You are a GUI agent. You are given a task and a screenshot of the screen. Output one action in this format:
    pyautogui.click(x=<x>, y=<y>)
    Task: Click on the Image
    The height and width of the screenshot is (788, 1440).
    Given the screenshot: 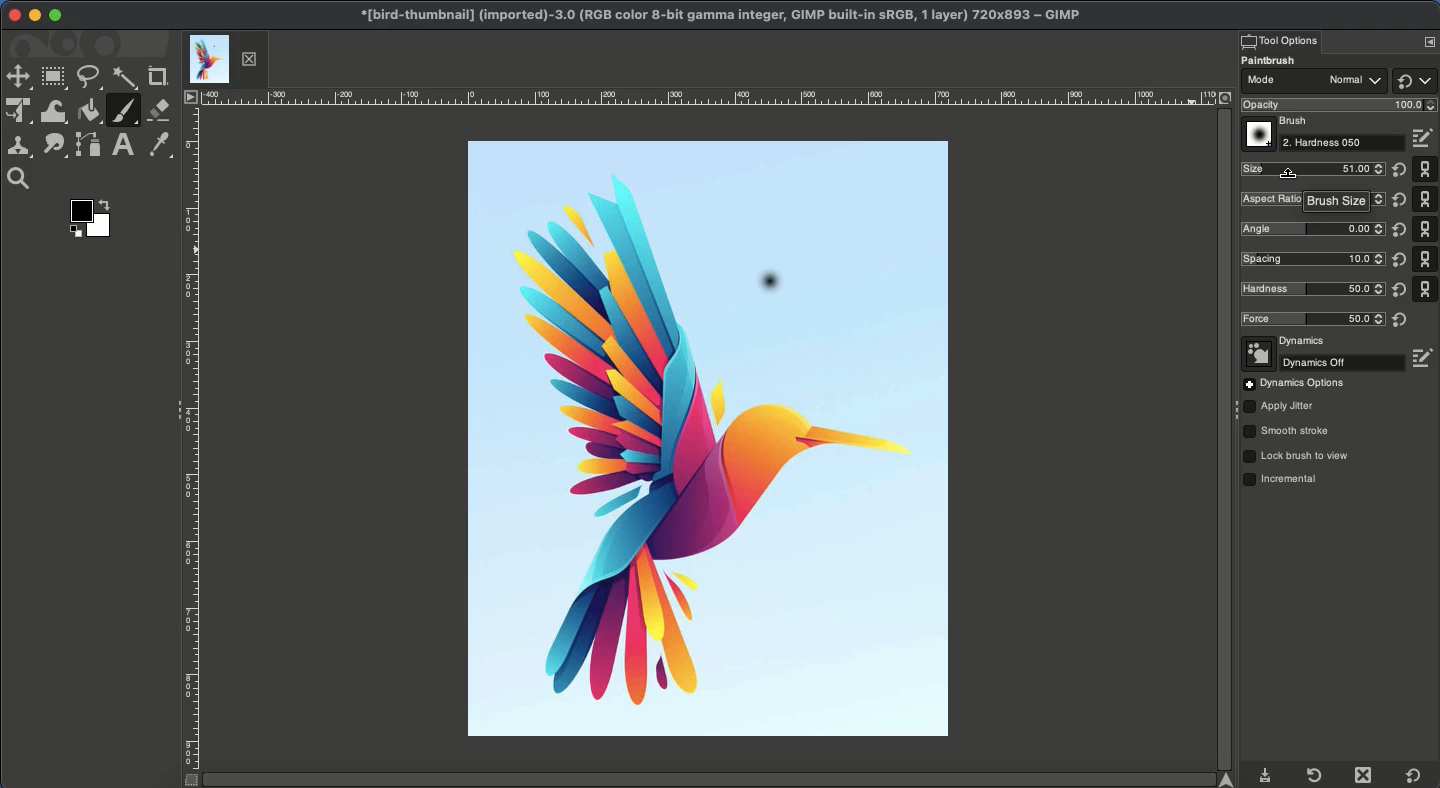 What is the action you would take?
    pyautogui.click(x=712, y=524)
    